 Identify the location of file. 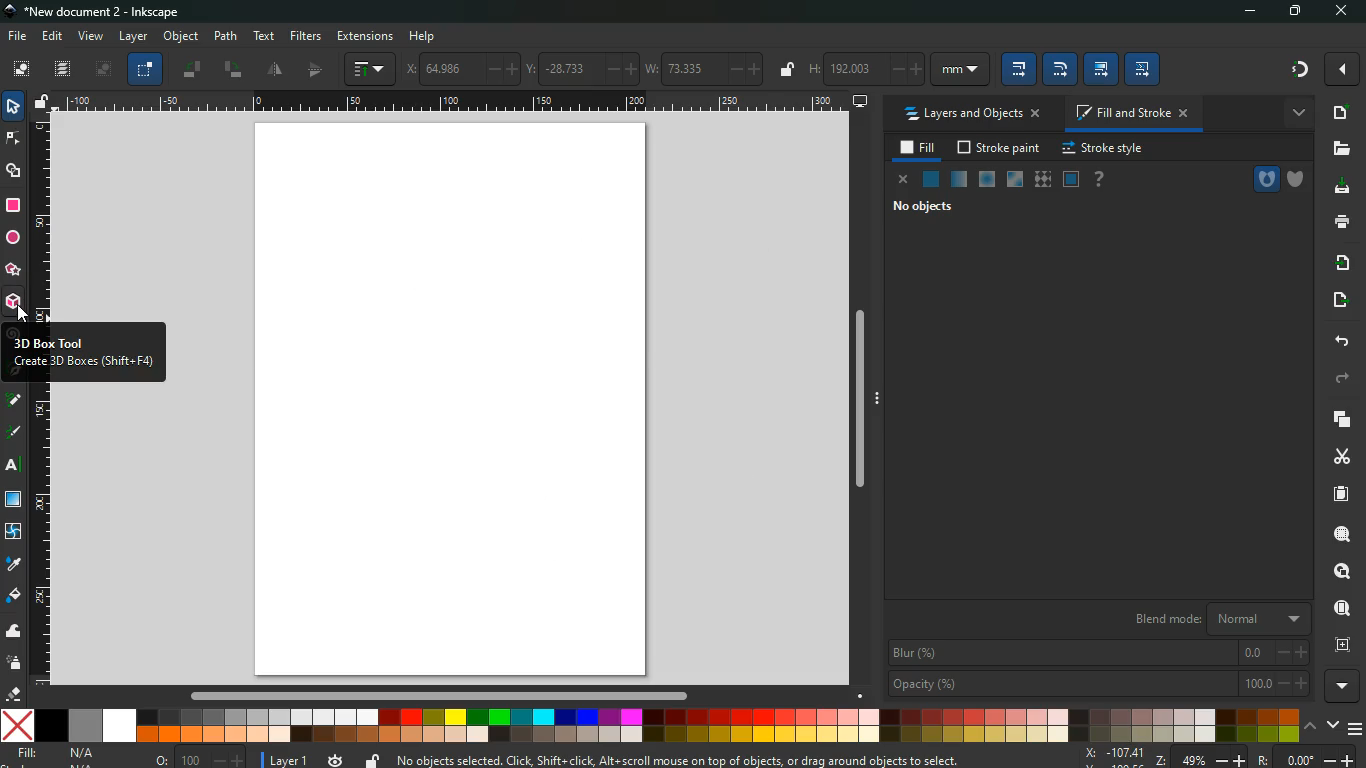
(16, 37).